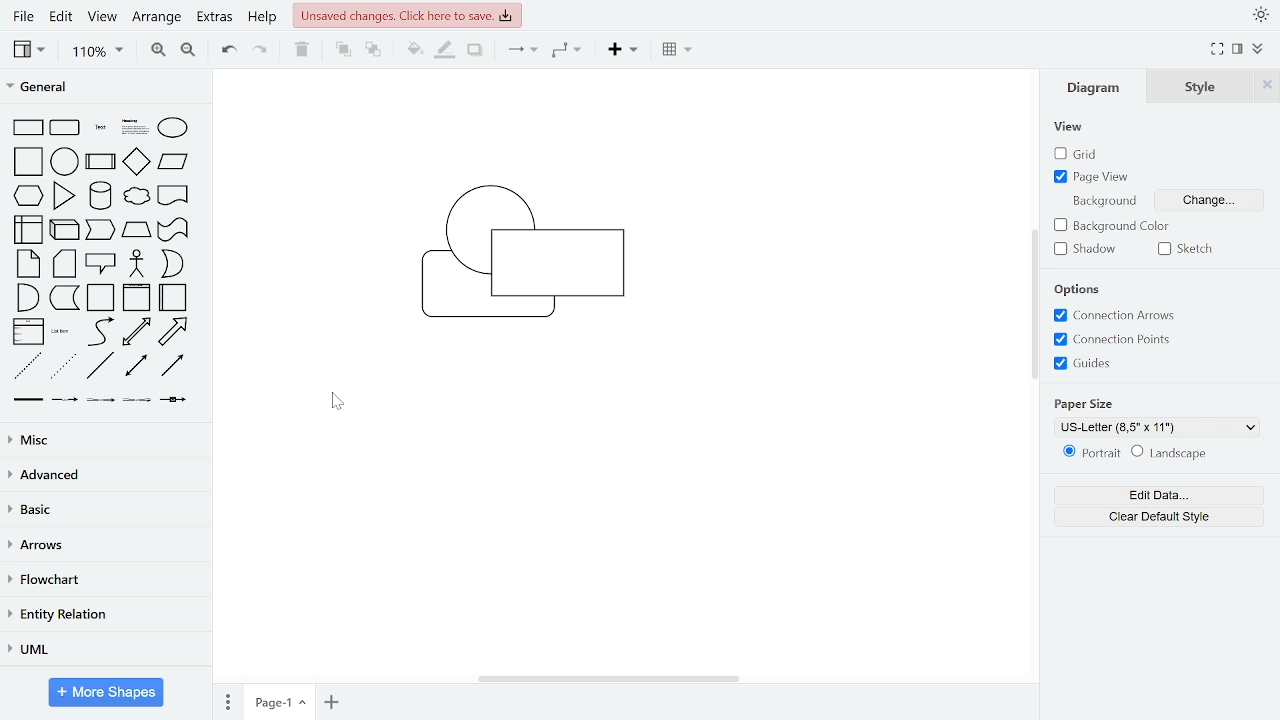 This screenshot has height=720, width=1280. What do you see at coordinates (101, 262) in the screenshot?
I see `callout` at bounding box center [101, 262].